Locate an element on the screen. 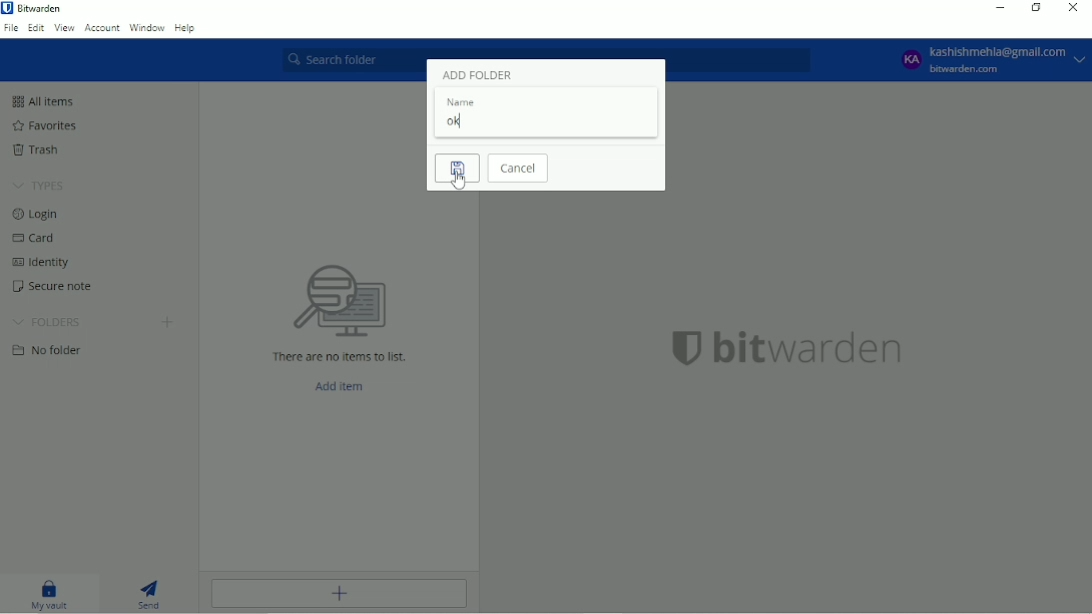  searching for folder logo is located at coordinates (339, 298).